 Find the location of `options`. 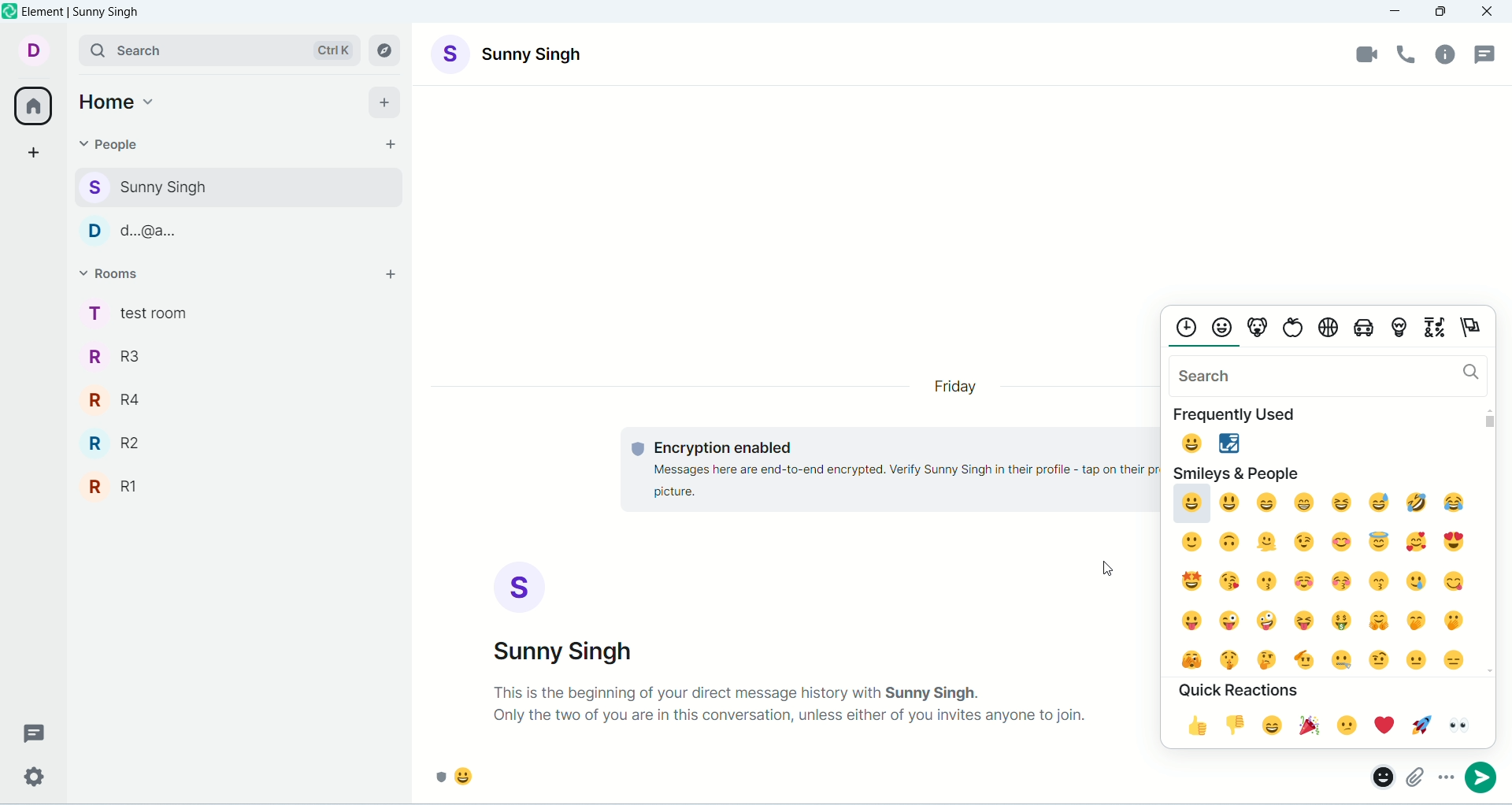

options is located at coordinates (1444, 774).